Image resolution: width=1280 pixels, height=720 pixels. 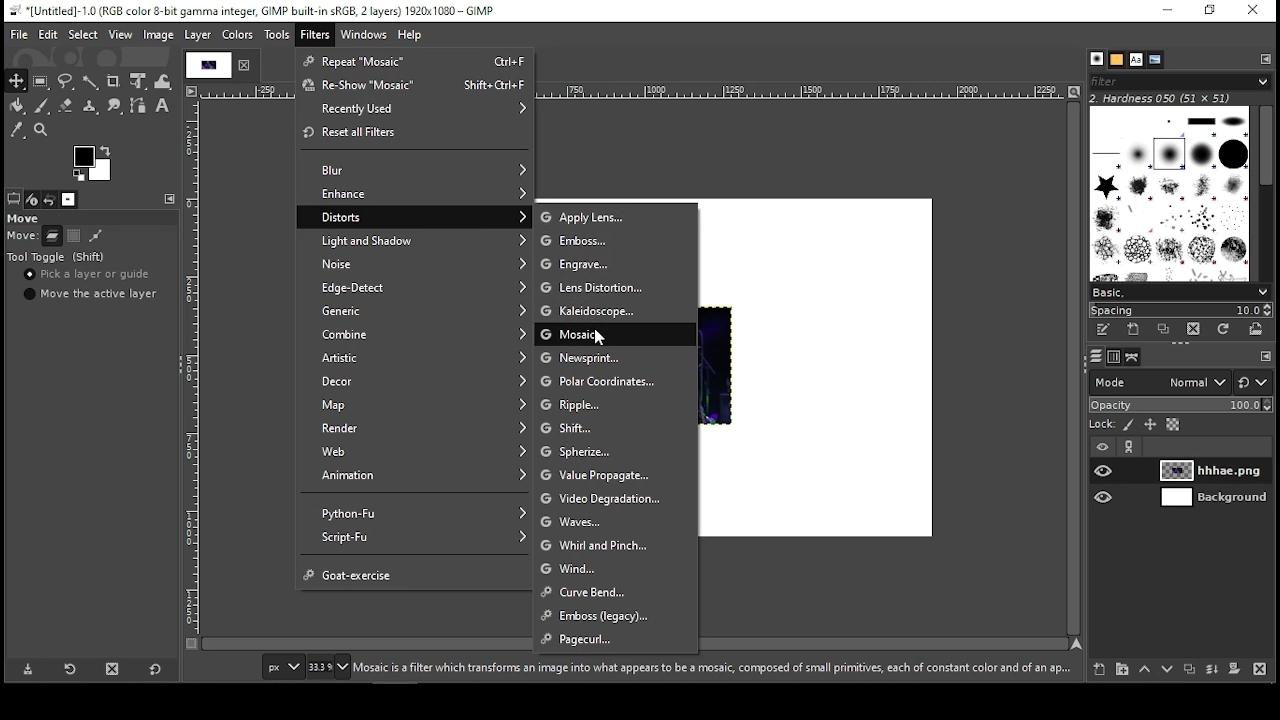 I want to click on emboss, so click(x=616, y=615).